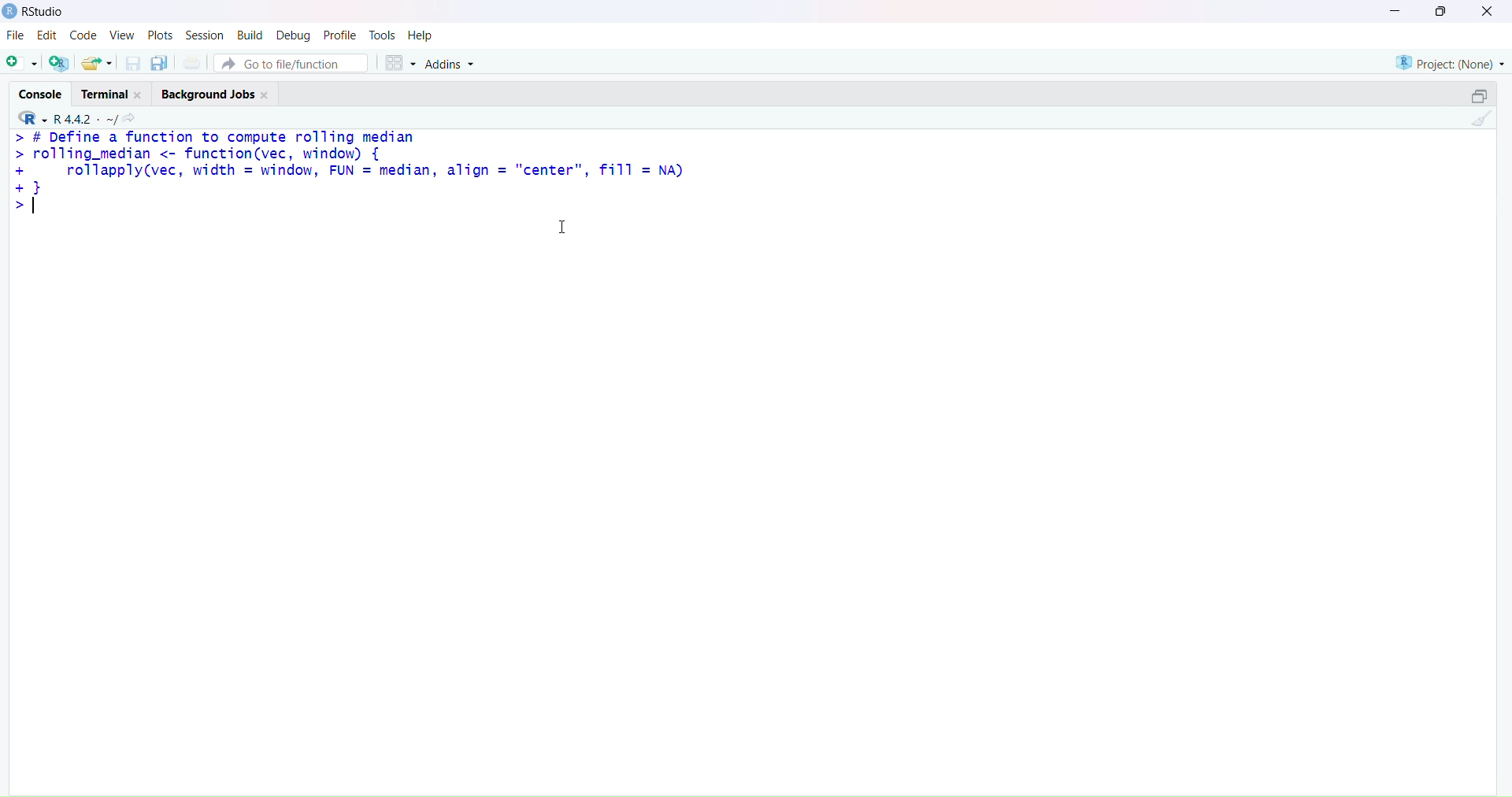 Image resolution: width=1512 pixels, height=797 pixels. I want to click on addins, so click(449, 65).